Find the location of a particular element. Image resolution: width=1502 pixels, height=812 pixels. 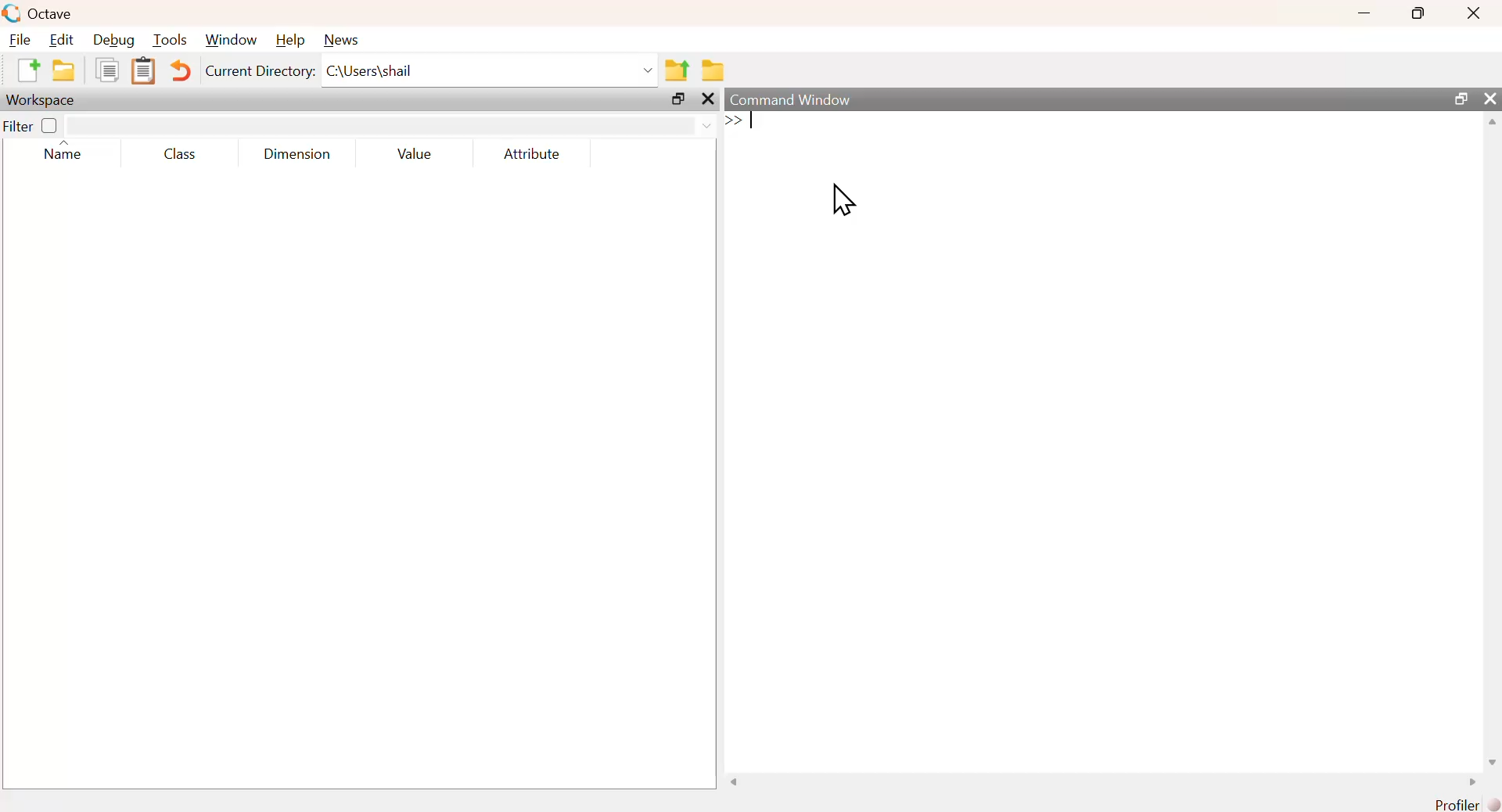

file is located at coordinates (21, 40).